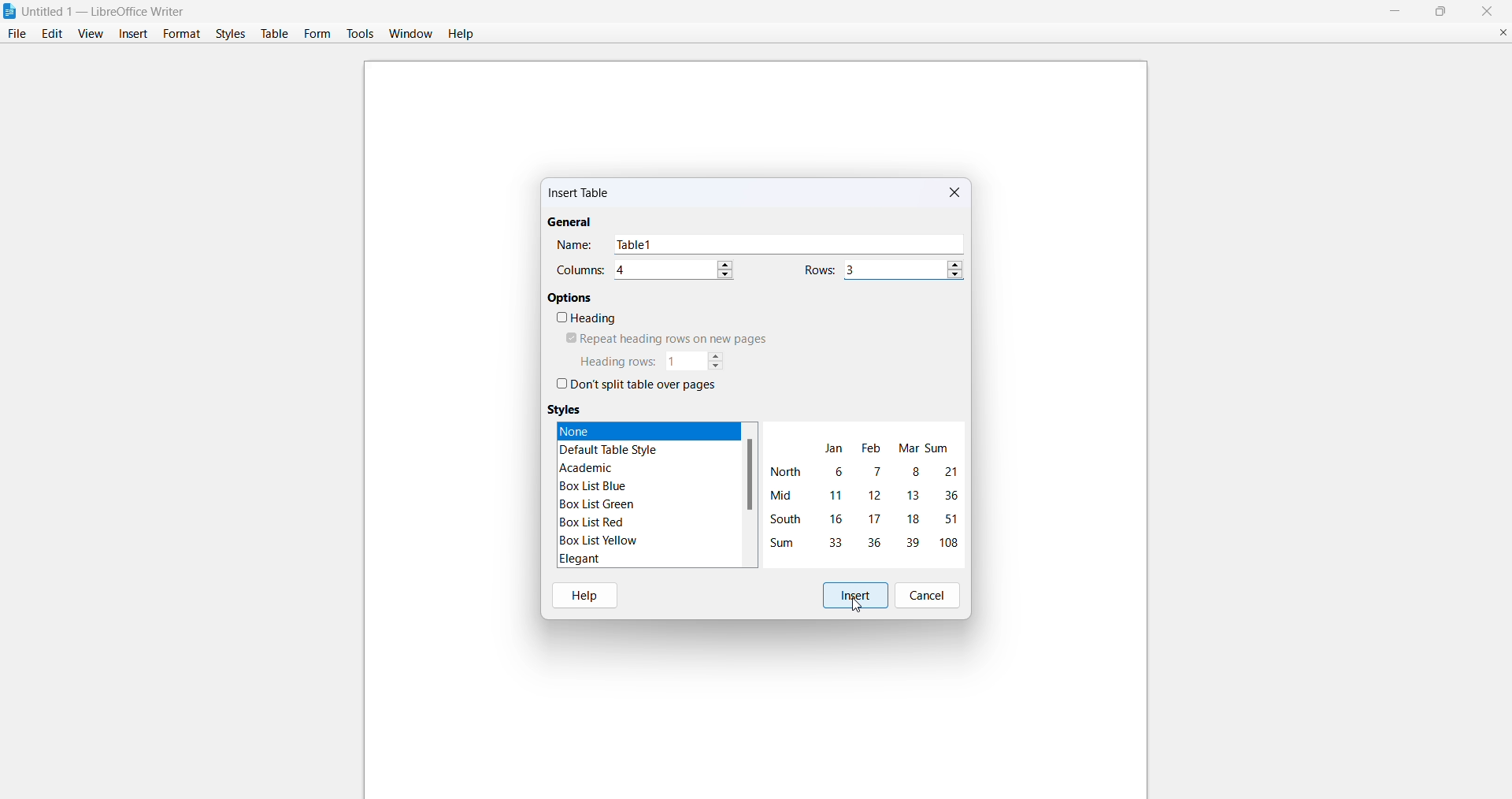 The height and width of the screenshot is (799, 1512). I want to click on styles, so click(228, 33).